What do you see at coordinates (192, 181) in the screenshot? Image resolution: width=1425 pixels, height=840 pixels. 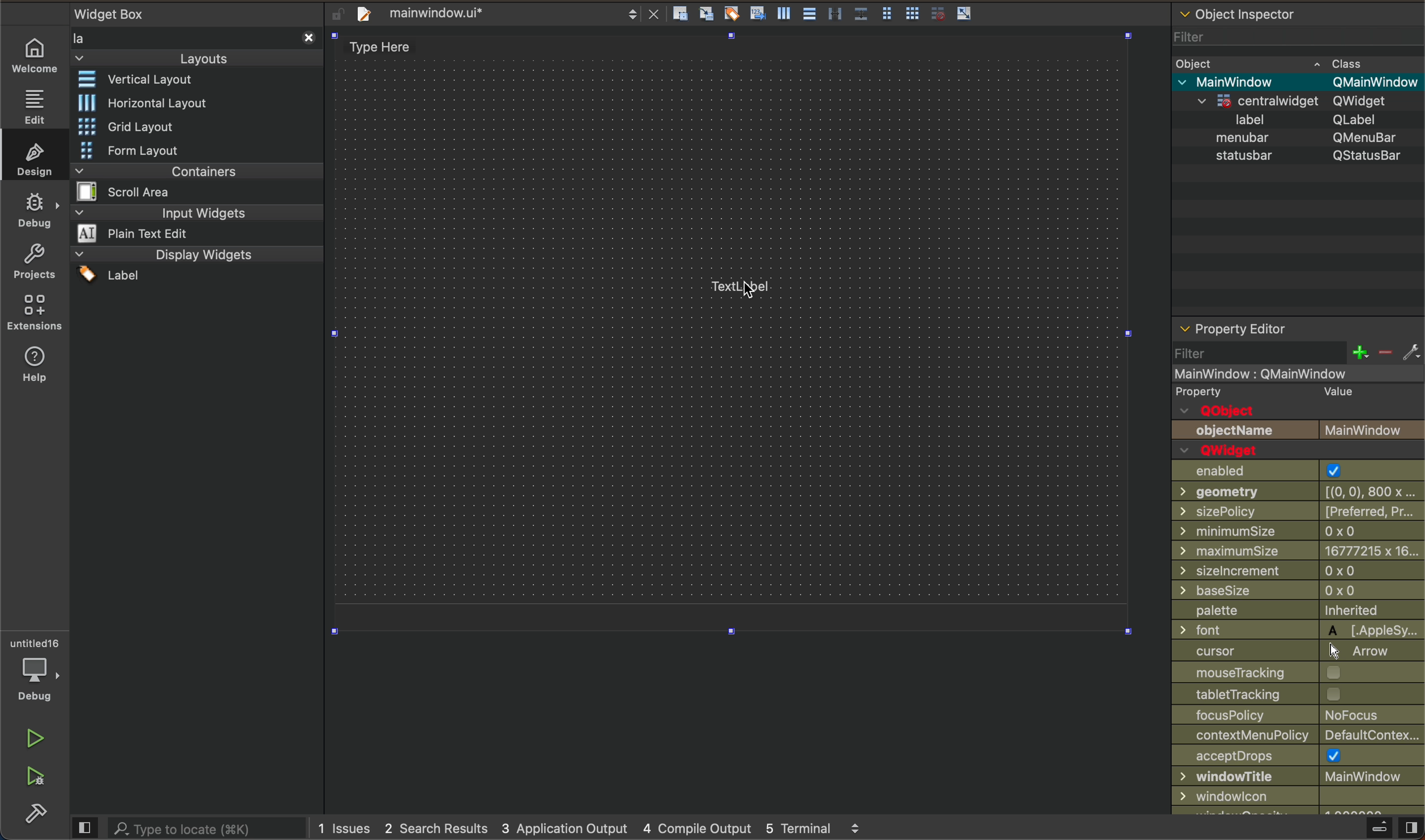 I see `containers` at bounding box center [192, 181].